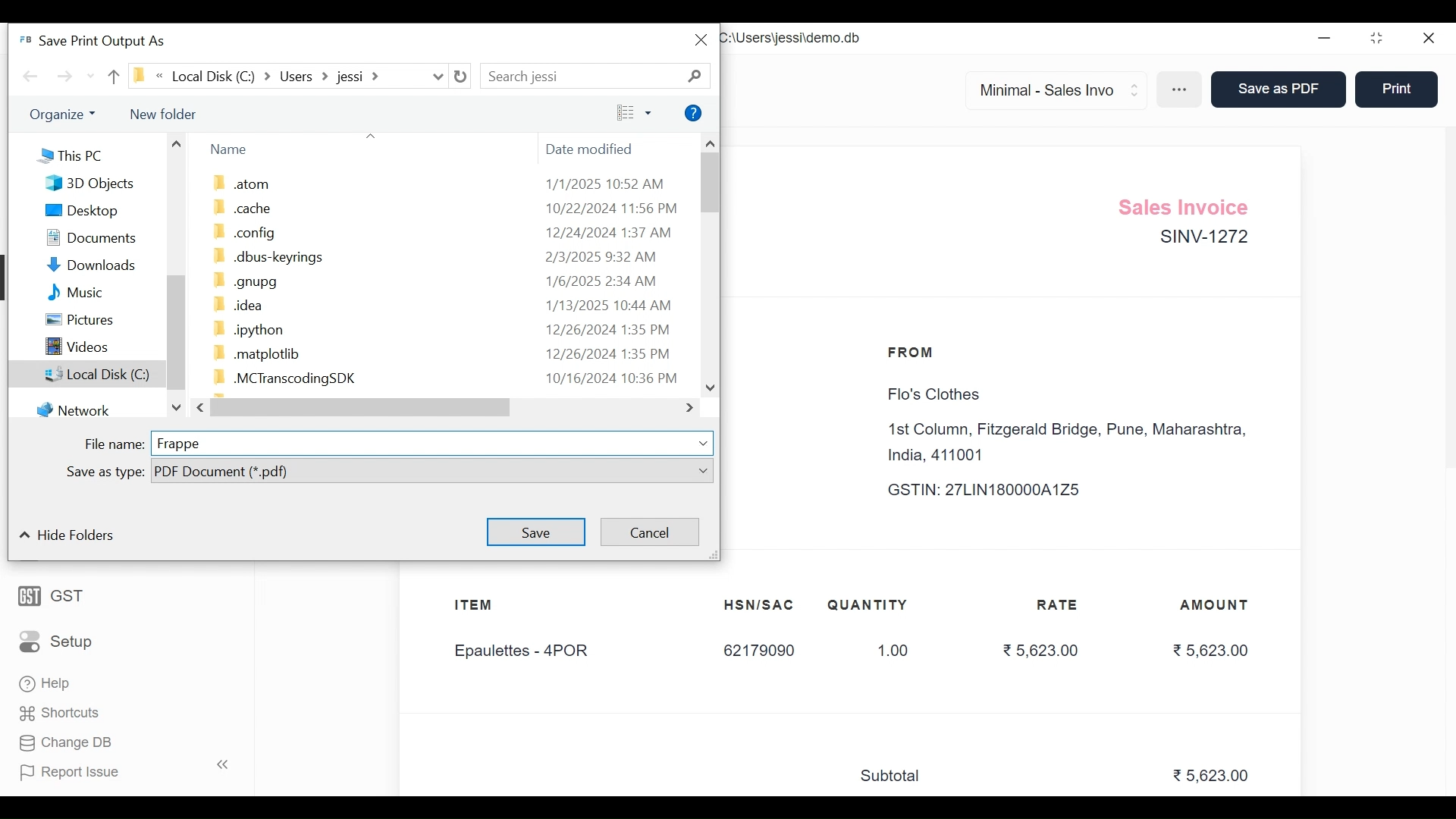  I want to click on 5,623.00, so click(1210, 650).